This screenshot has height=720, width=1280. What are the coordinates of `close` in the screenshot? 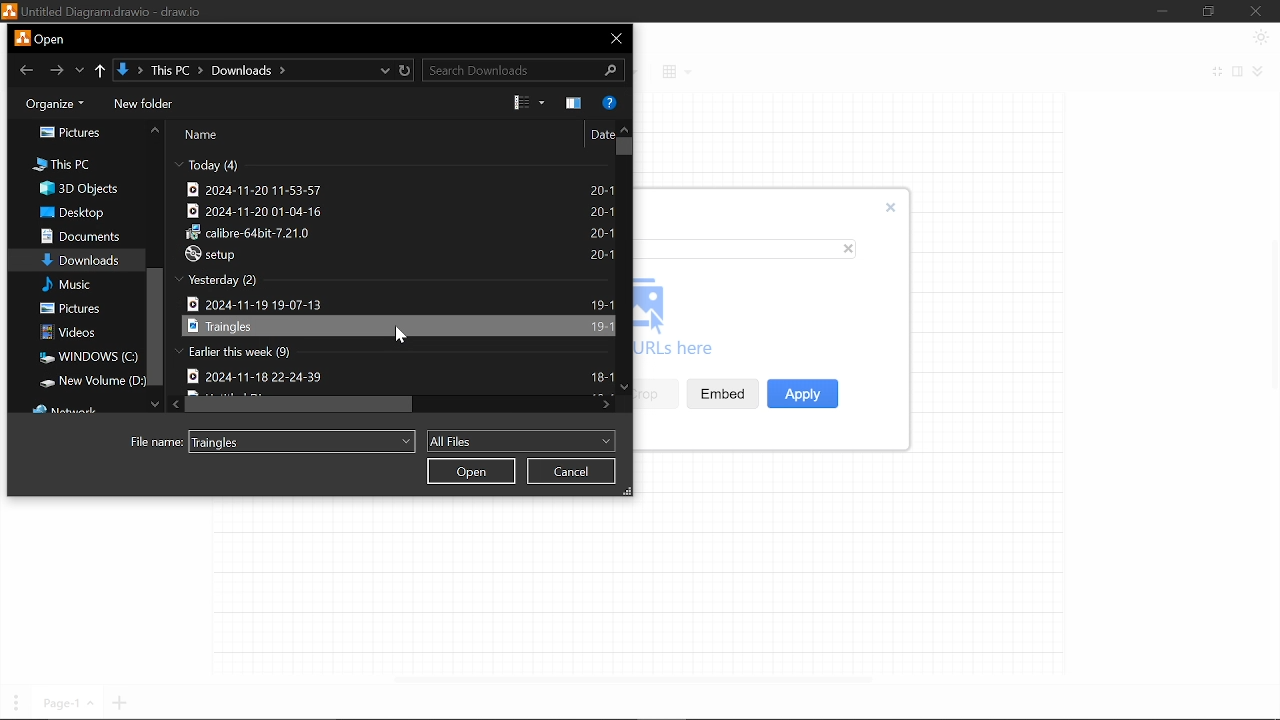 It's located at (850, 250).